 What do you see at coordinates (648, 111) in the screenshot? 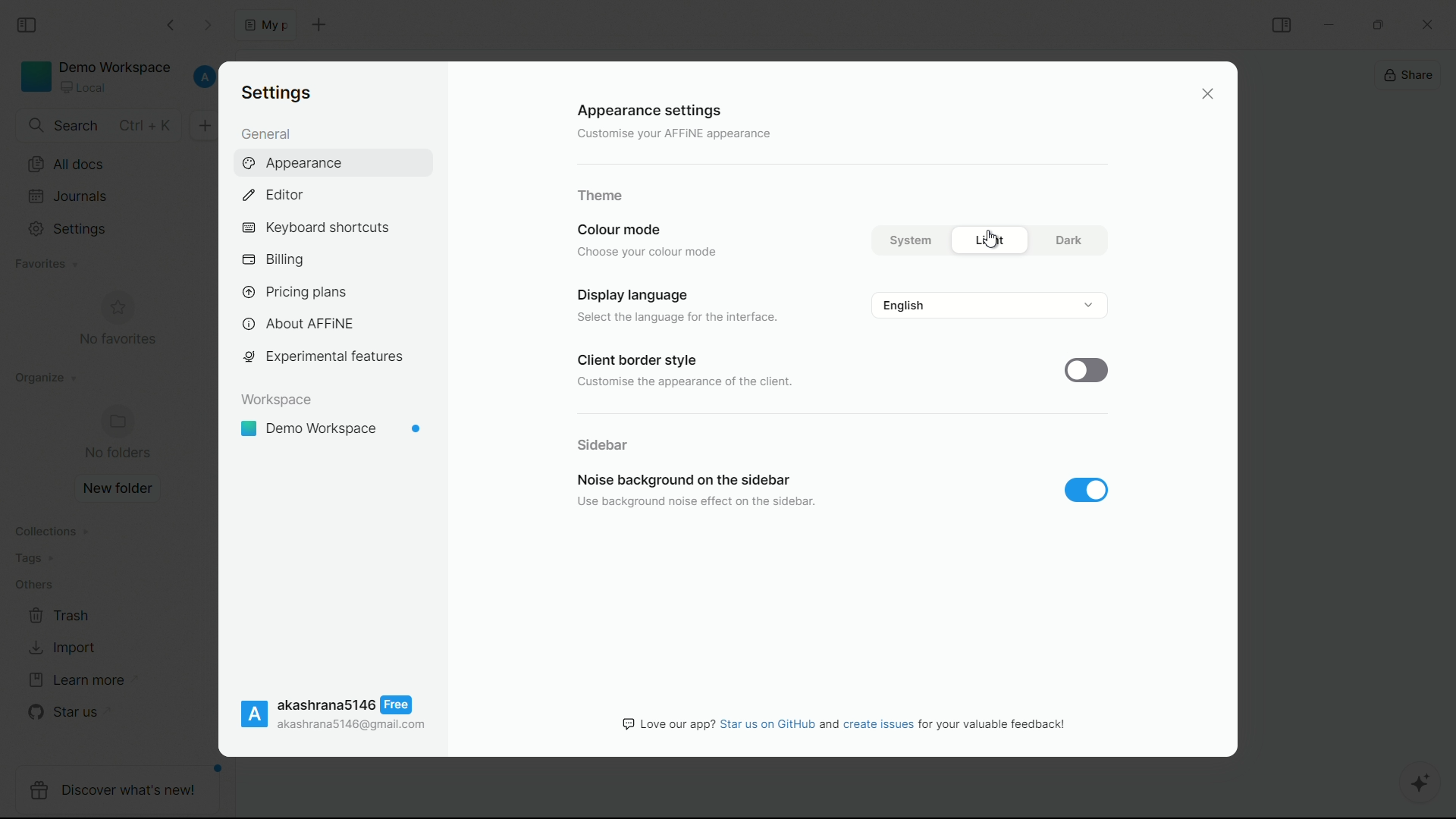
I see `appearance setting` at bounding box center [648, 111].